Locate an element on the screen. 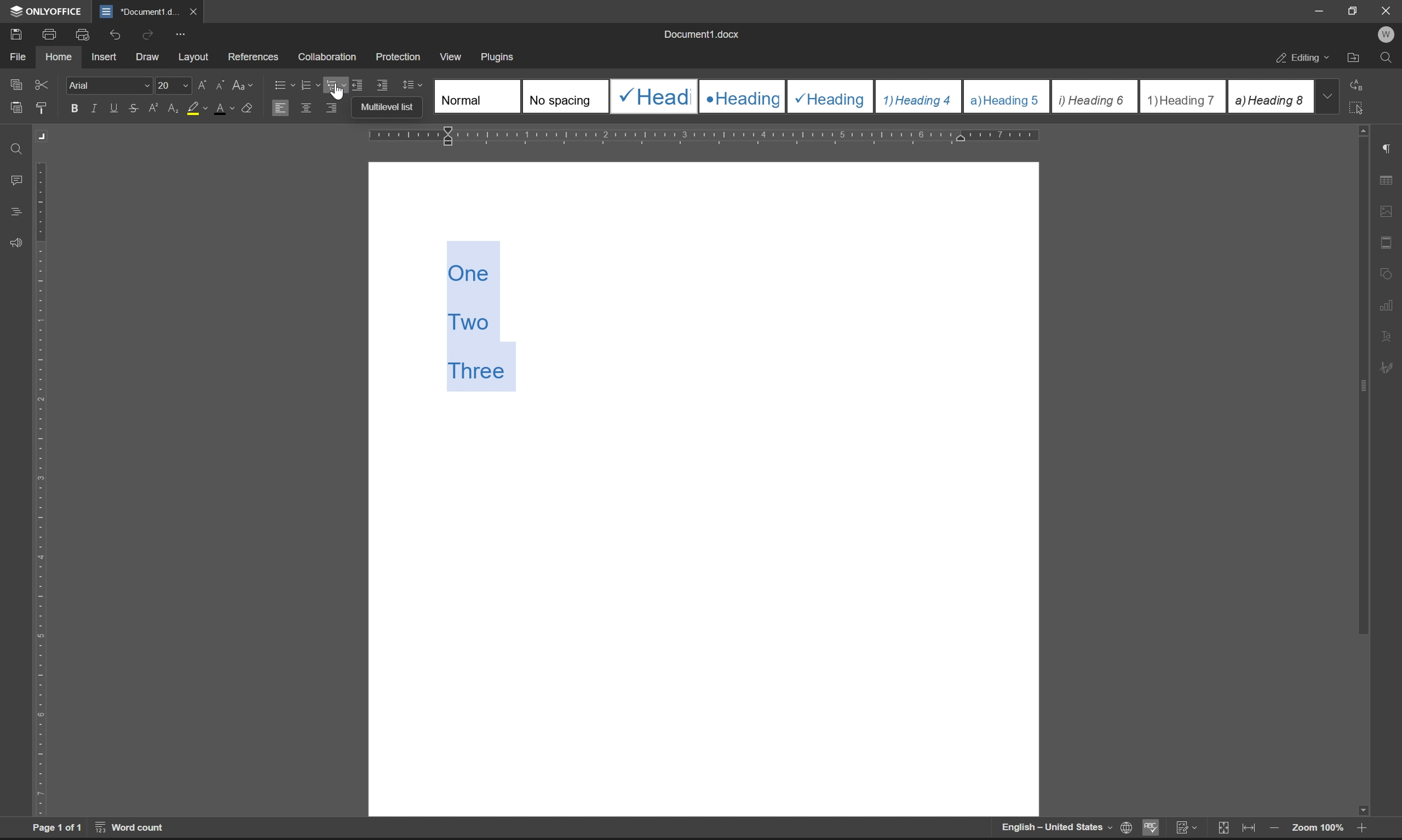 This screenshot has width=1402, height=840. zoom out is located at coordinates (1274, 829).